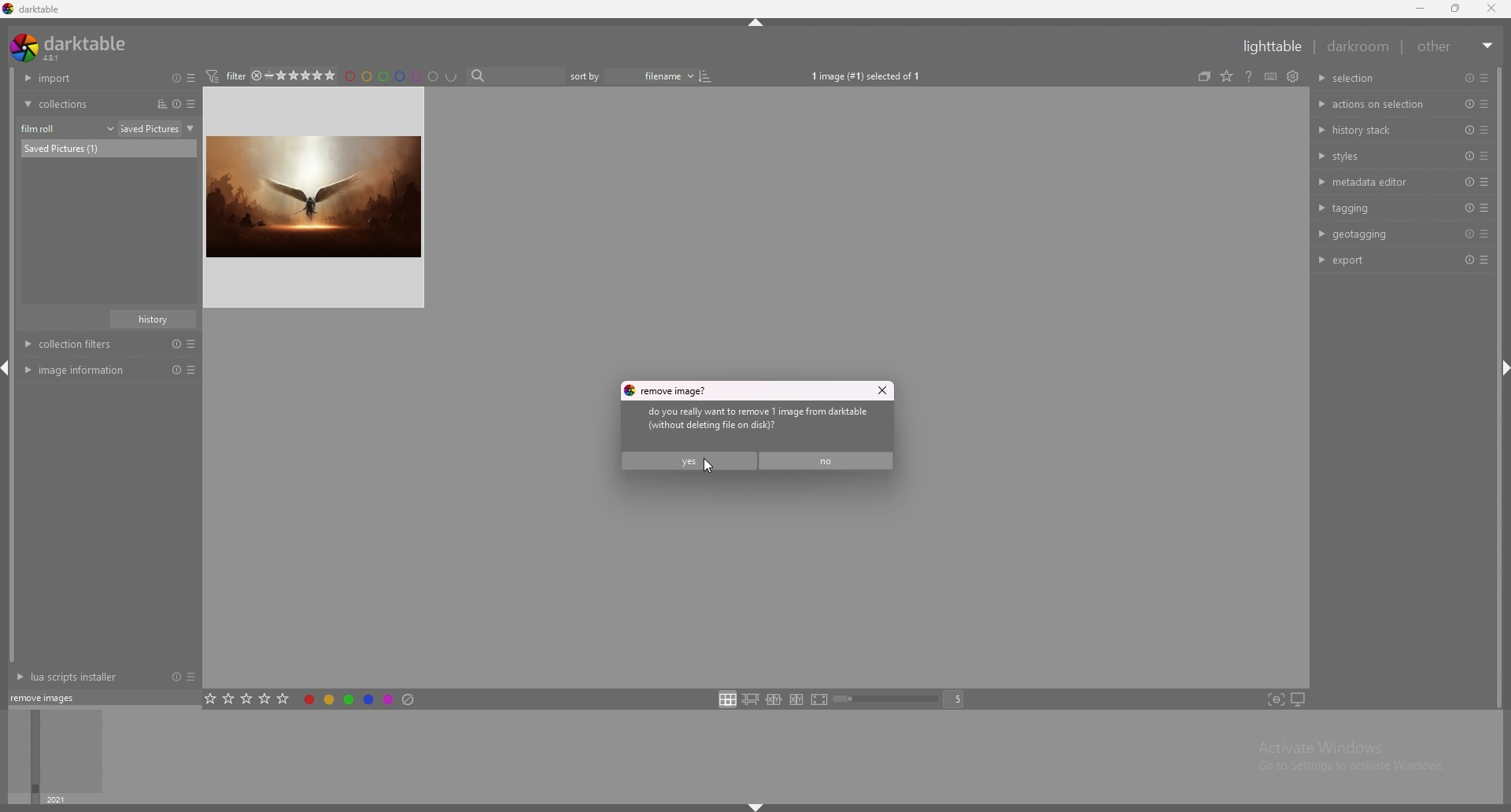  What do you see at coordinates (1467, 208) in the screenshot?
I see `reset` at bounding box center [1467, 208].